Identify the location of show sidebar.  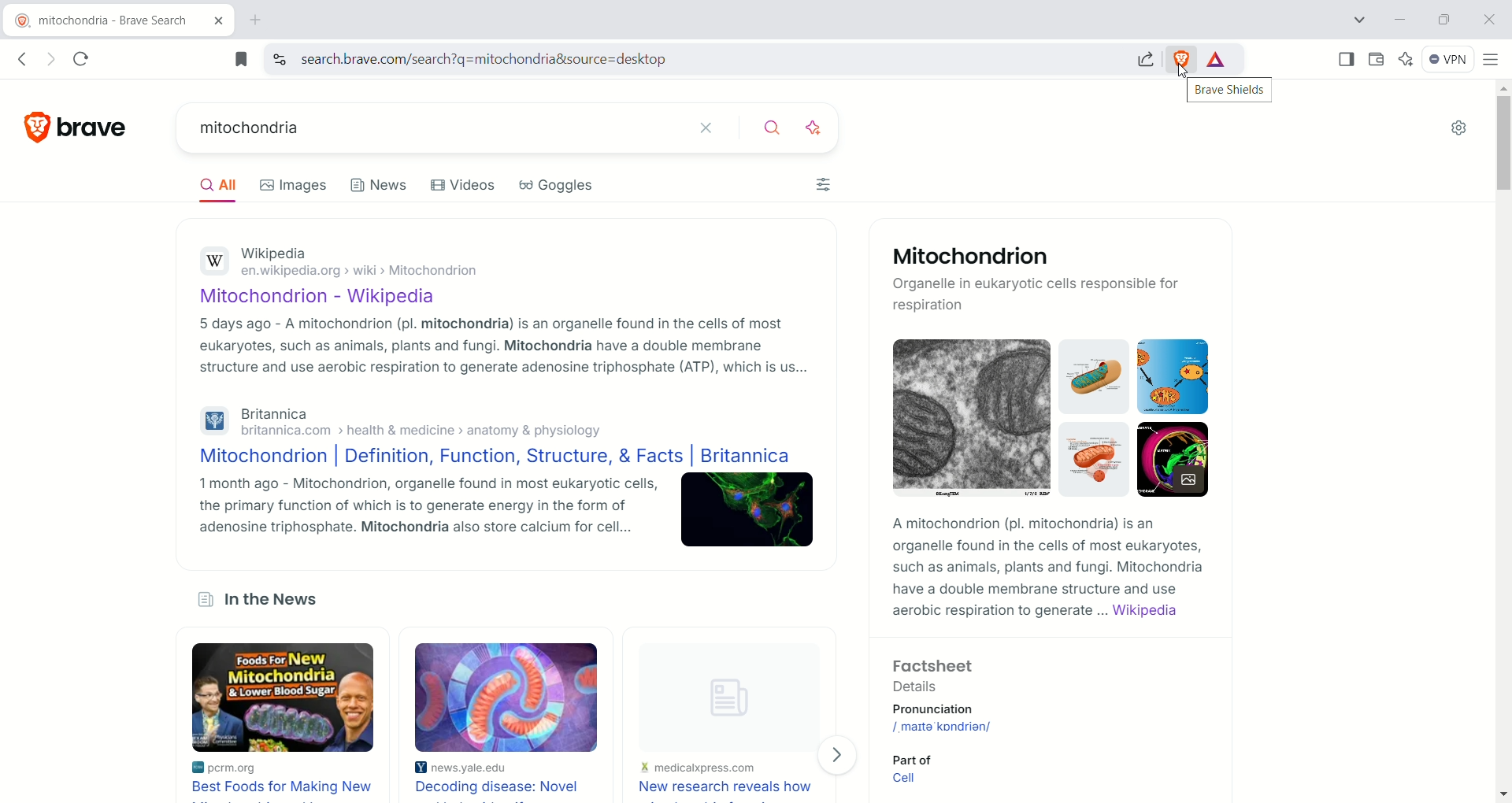
(1343, 59).